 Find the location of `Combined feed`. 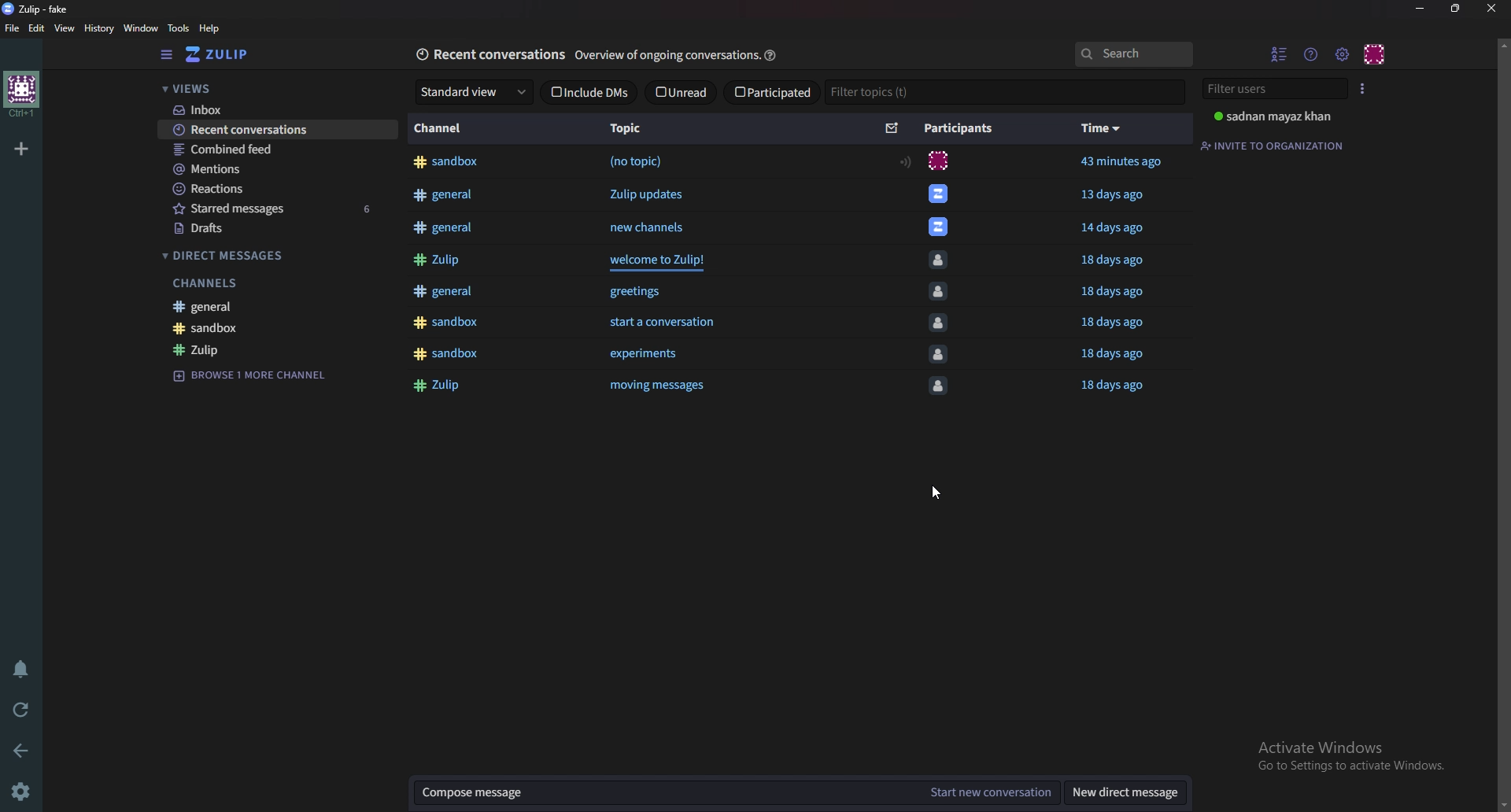

Combined feed is located at coordinates (279, 150).